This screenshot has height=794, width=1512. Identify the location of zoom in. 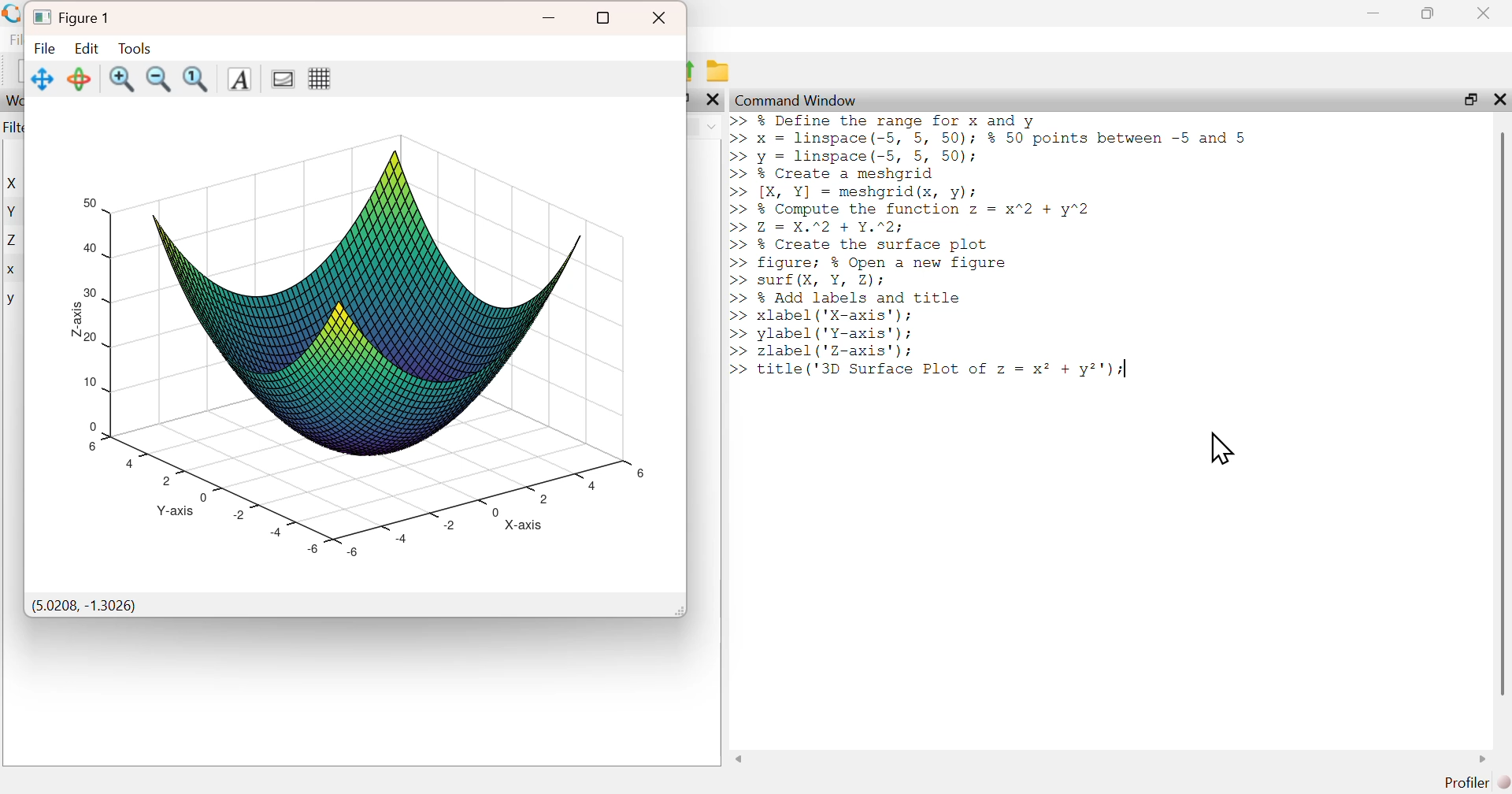
(122, 79).